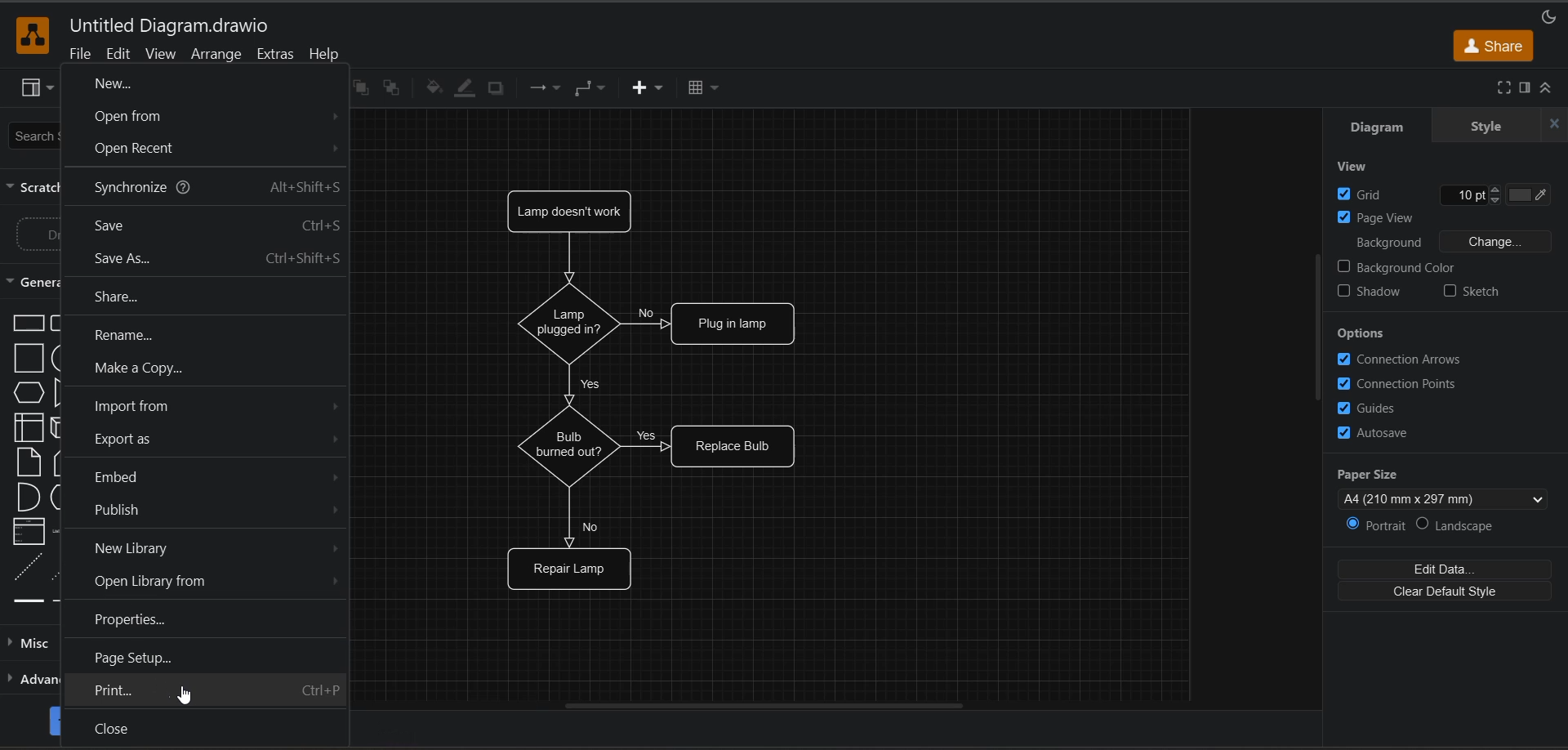  What do you see at coordinates (762, 706) in the screenshot?
I see `horizontal scroll bar` at bounding box center [762, 706].